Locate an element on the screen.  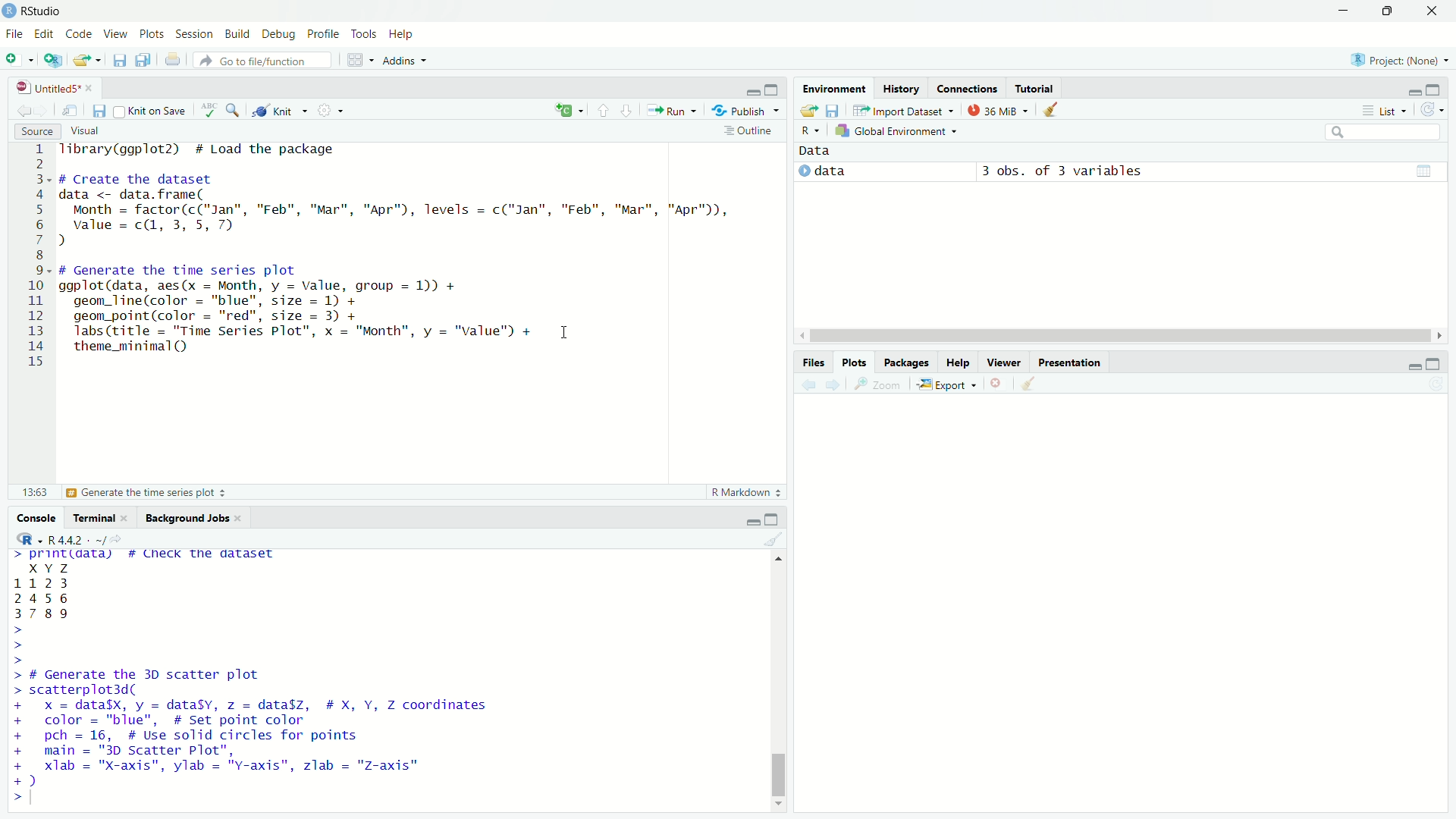
restore is located at coordinates (1389, 11).